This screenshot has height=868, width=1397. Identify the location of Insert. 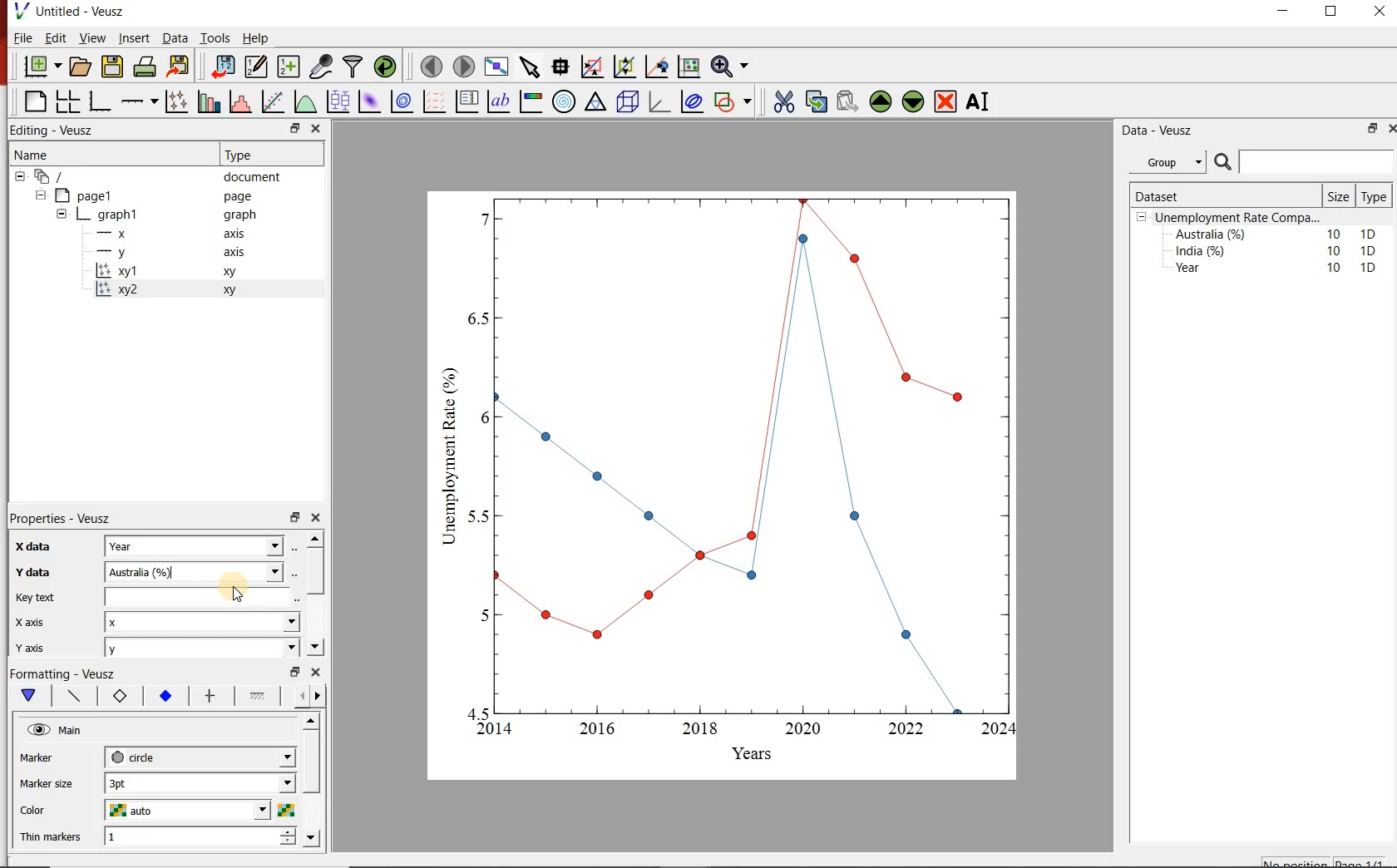
(133, 37).